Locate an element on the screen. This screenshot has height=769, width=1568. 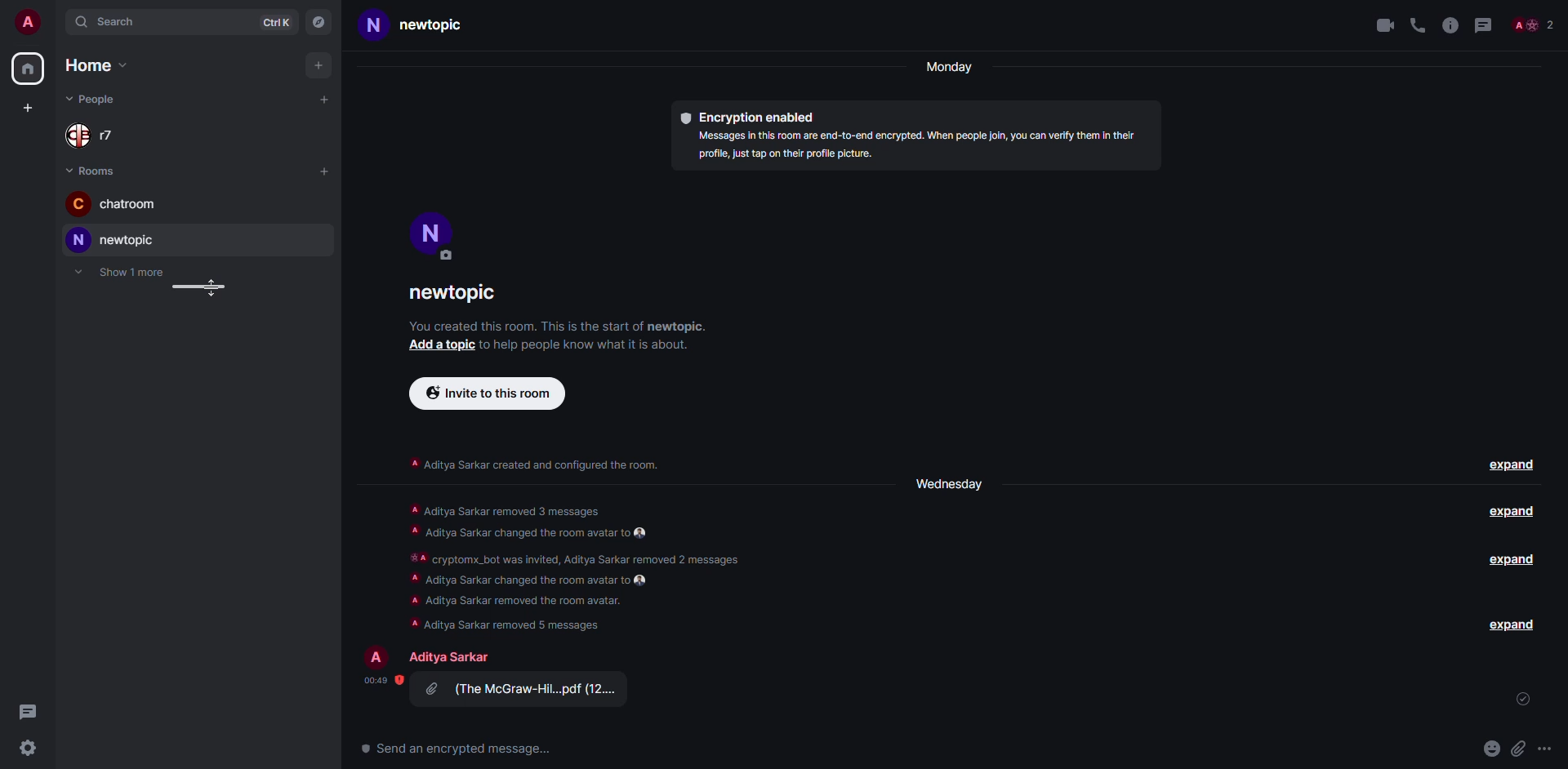
voice is located at coordinates (1418, 26).